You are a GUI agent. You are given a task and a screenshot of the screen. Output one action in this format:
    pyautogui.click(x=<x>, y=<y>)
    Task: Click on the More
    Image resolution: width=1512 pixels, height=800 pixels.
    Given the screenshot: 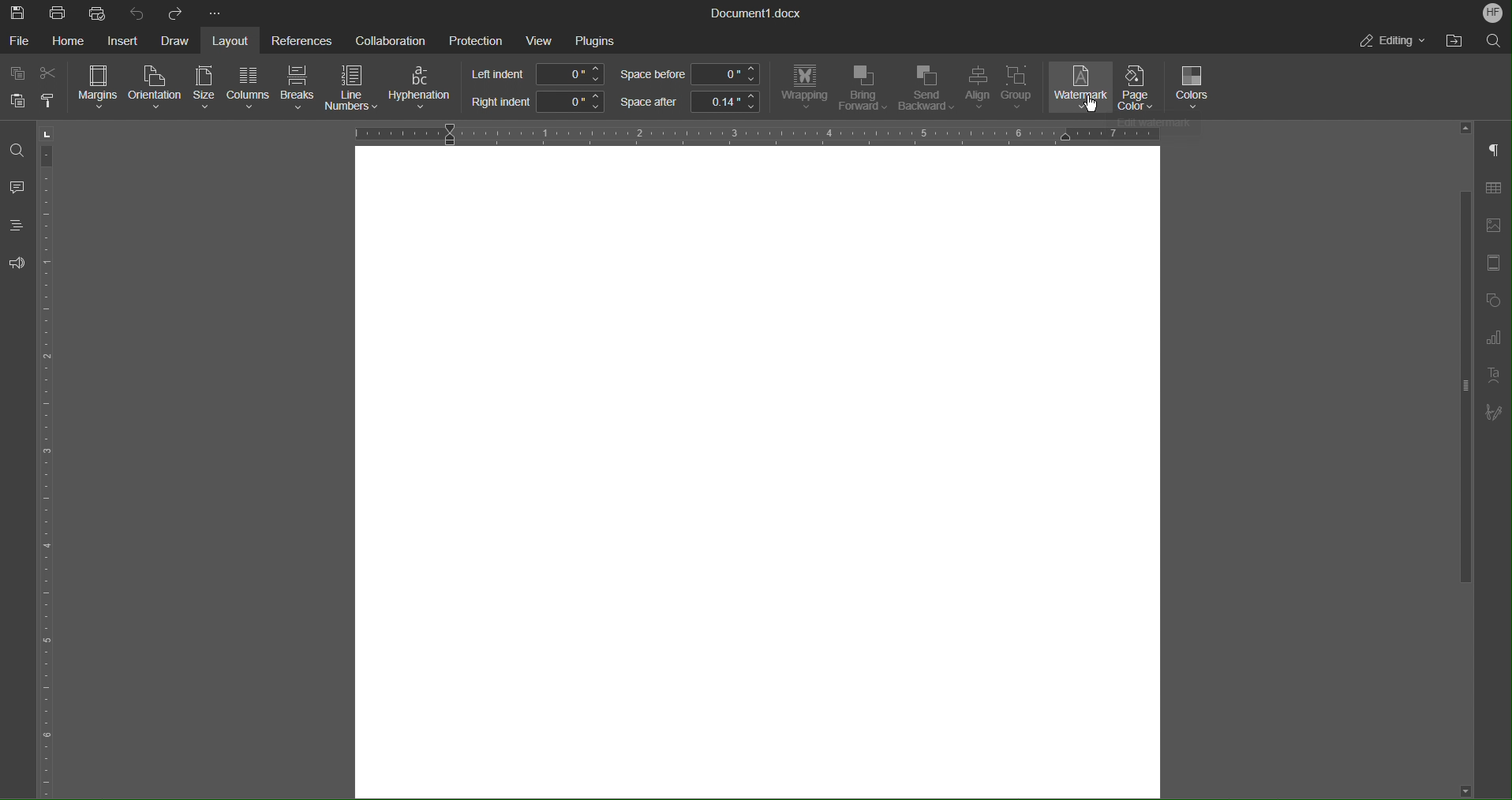 What is the action you would take?
    pyautogui.click(x=217, y=14)
    